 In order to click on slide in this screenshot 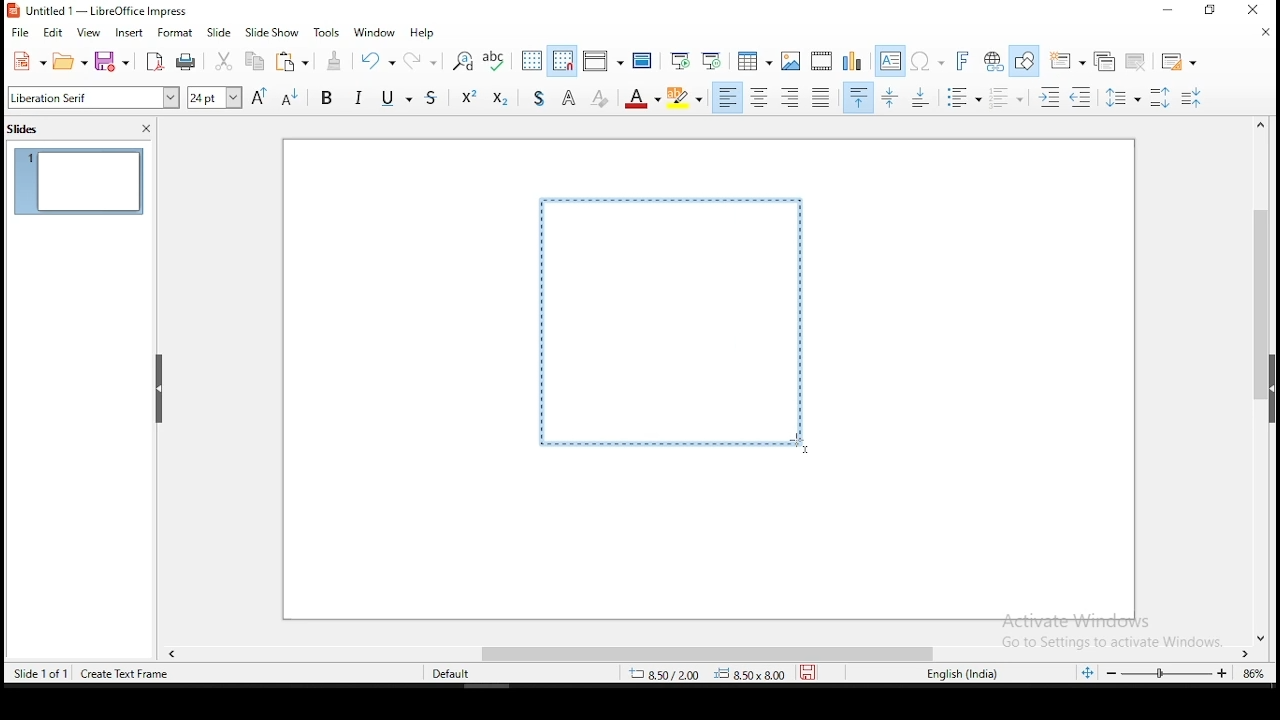, I will do `click(223, 32)`.